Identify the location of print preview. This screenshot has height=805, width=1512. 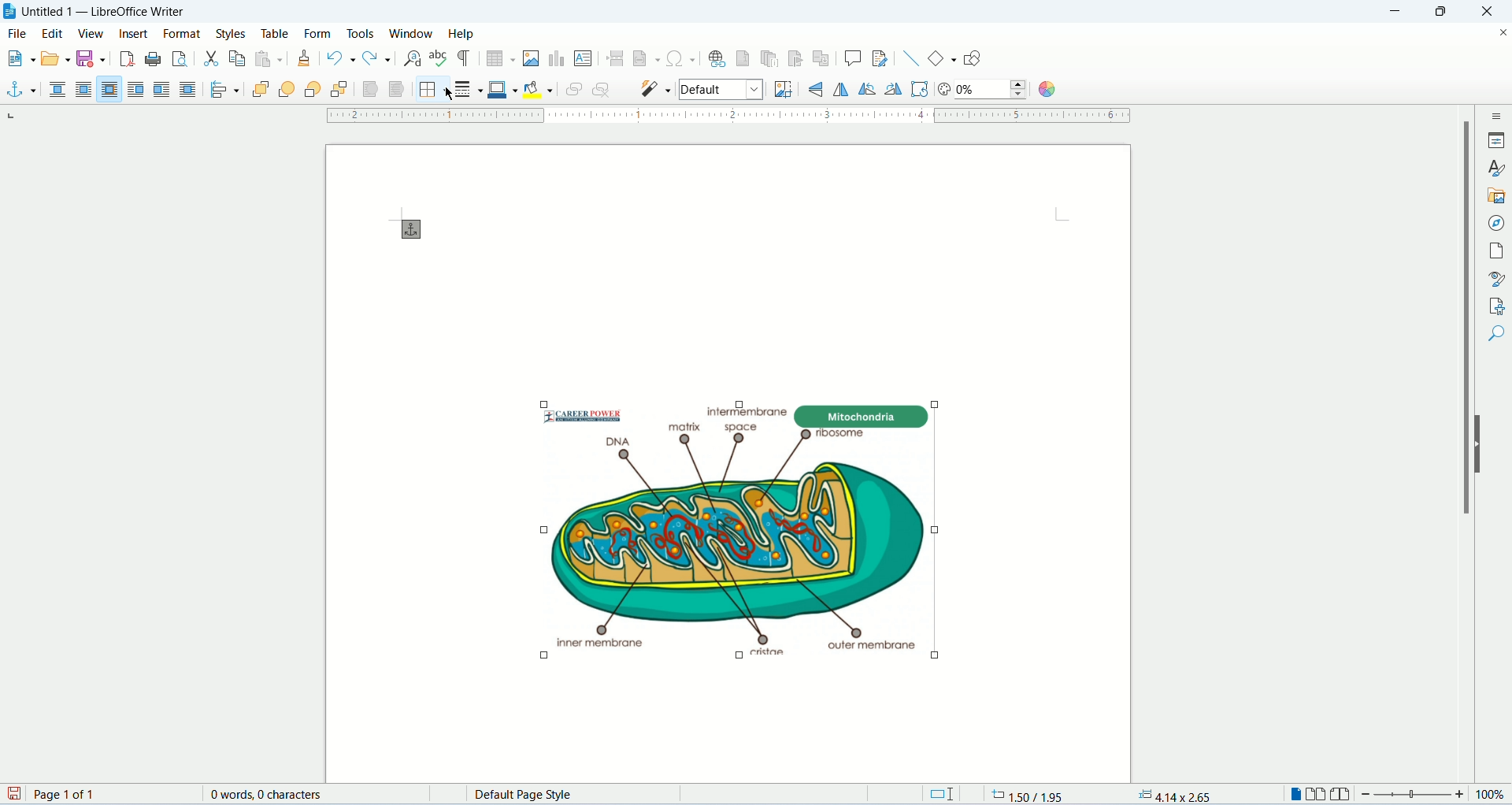
(180, 59).